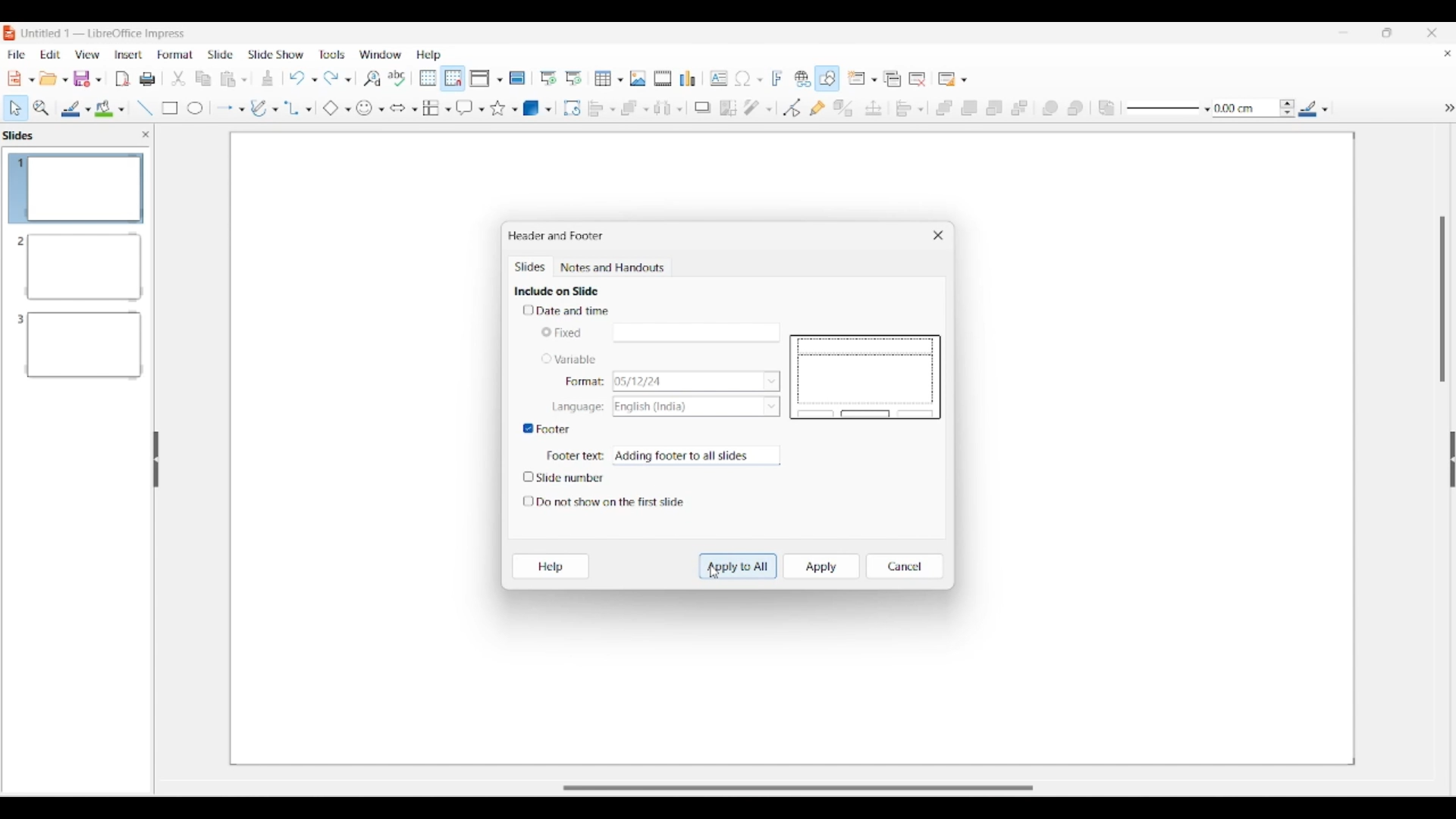 This screenshot has height=819, width=1456. I want to click on Open document options, so click(53, 78).